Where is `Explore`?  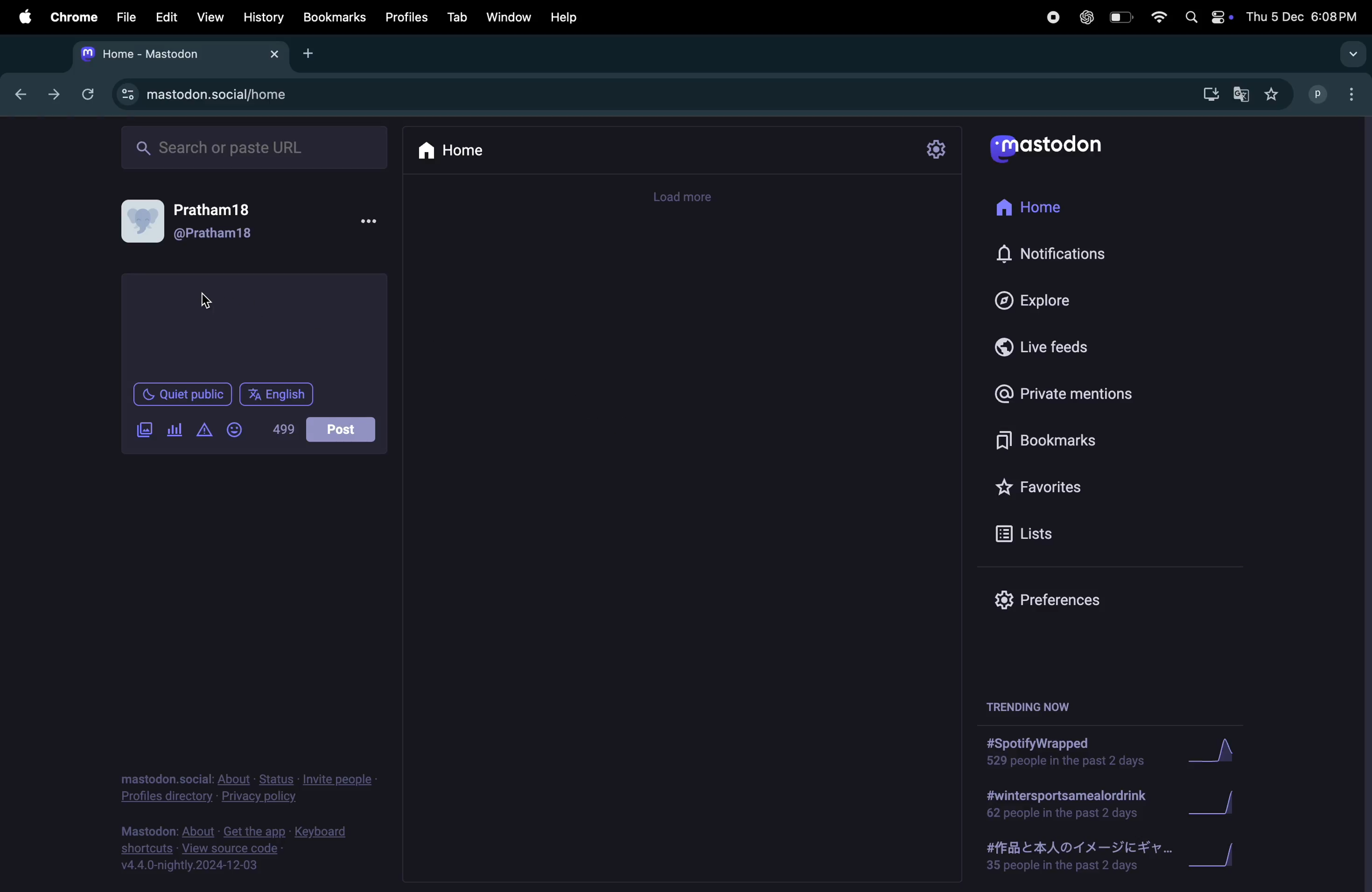 Explore is located at coordinates (1046, 301).